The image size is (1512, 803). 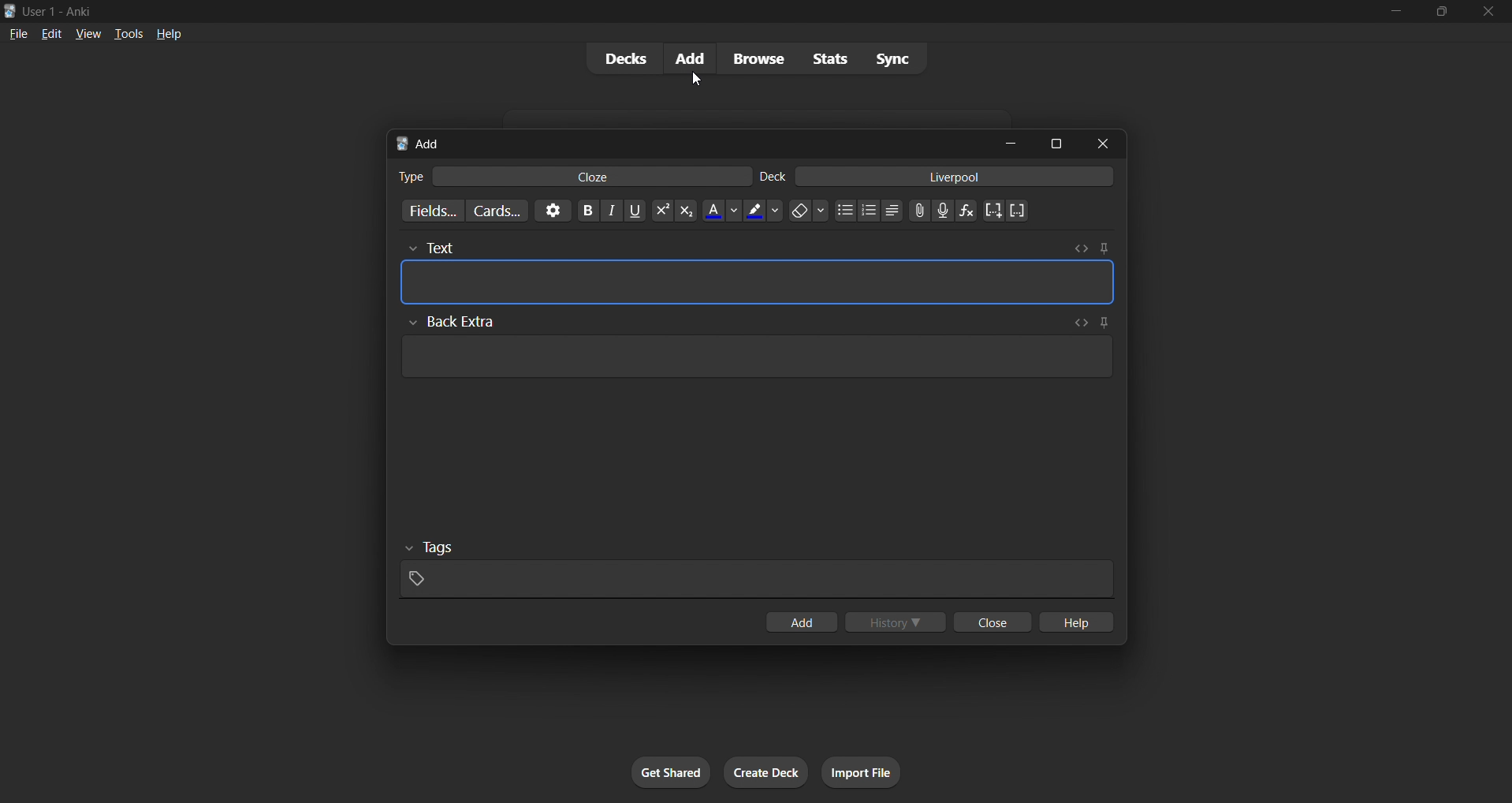 What do you see at coordinates (697, 81) in the screenshot?
I see `cursor` at bounding box center [697, 81].